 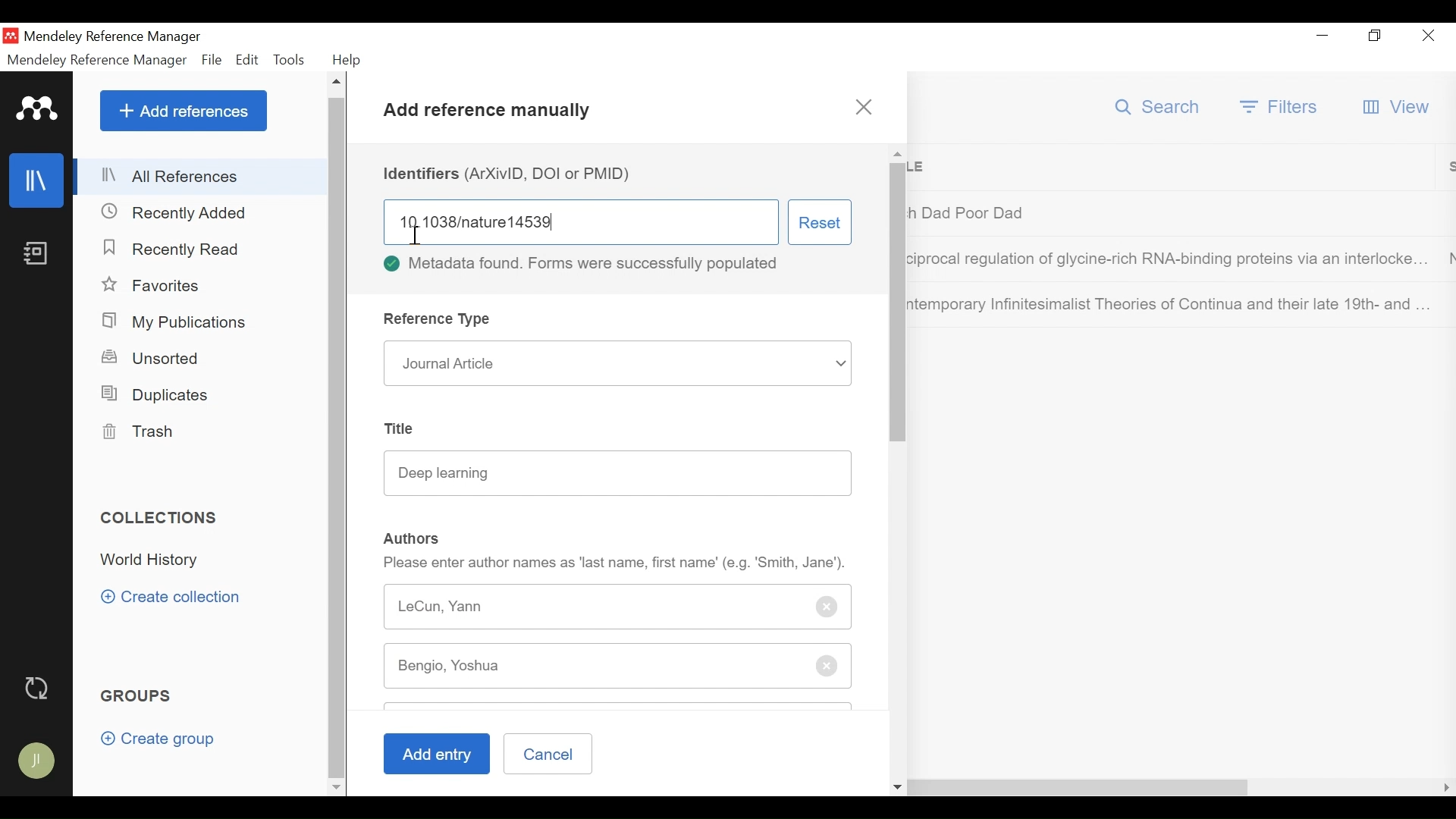 I want to click on Authors, so click(x=413, y=538).